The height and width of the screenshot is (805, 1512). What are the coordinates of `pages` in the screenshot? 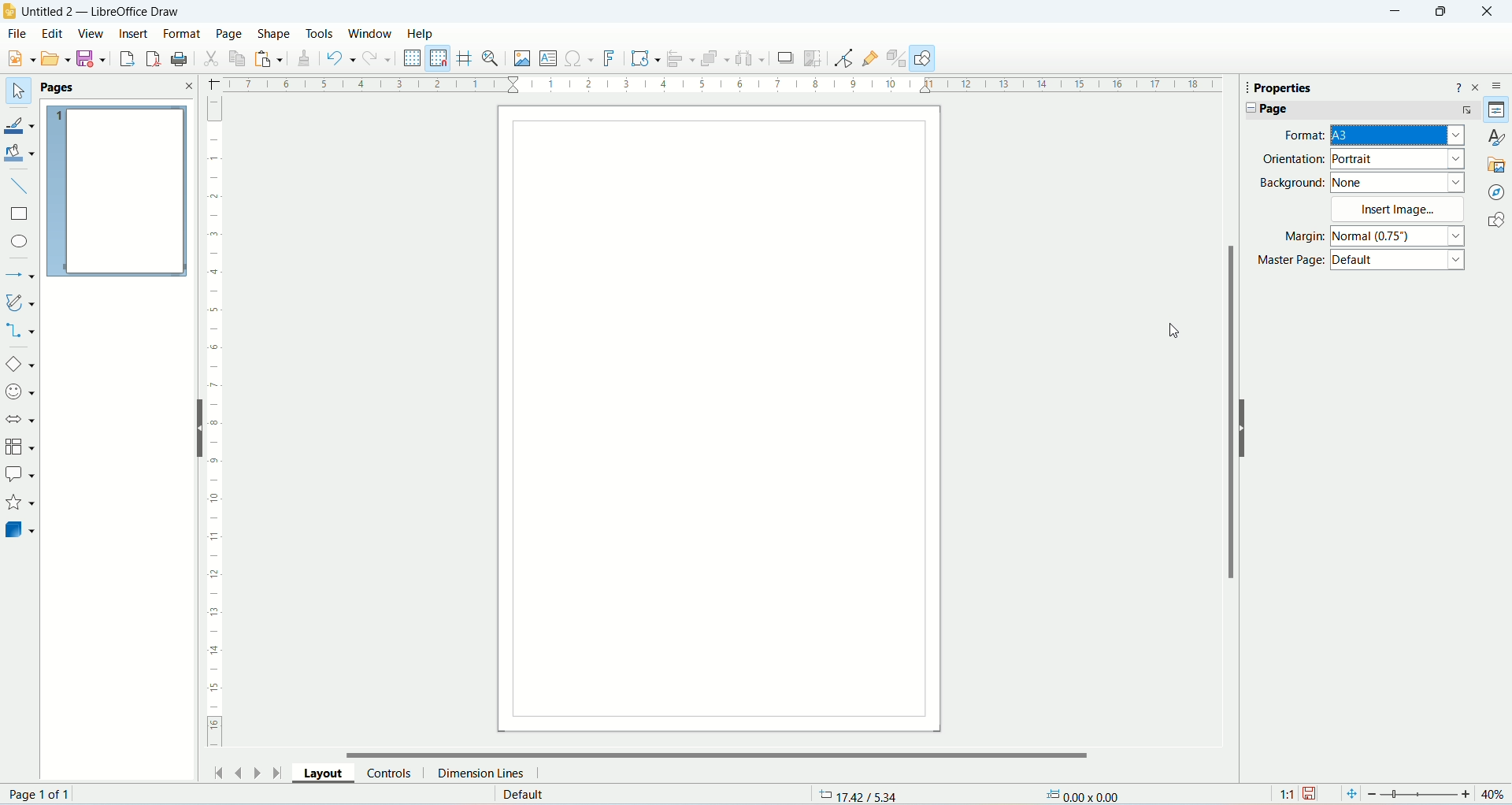 It's located at (78, 87).